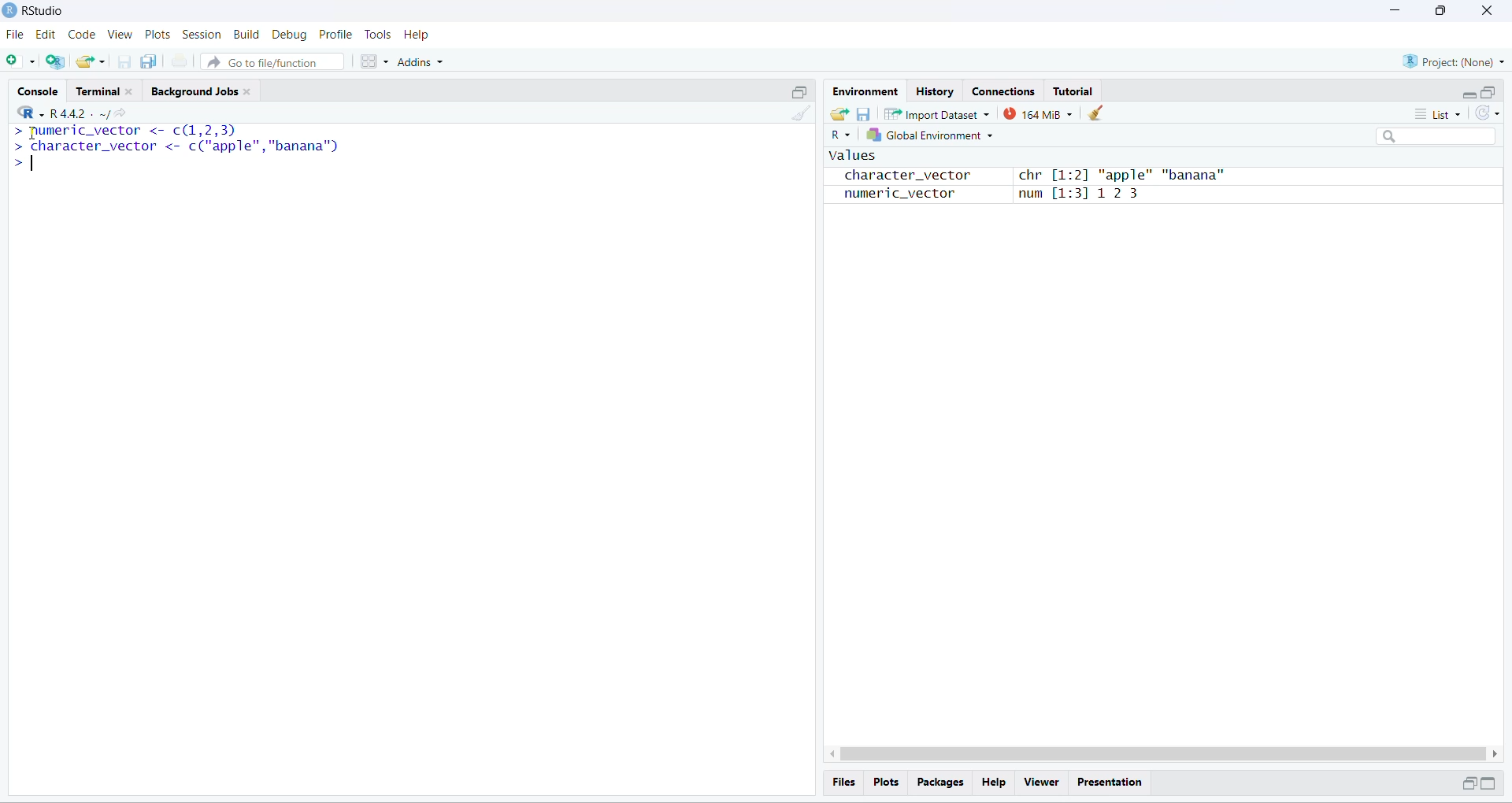 The width and height of the screenshot is (1512, 803). I want to click on Import Dataset, so click(936, 114).